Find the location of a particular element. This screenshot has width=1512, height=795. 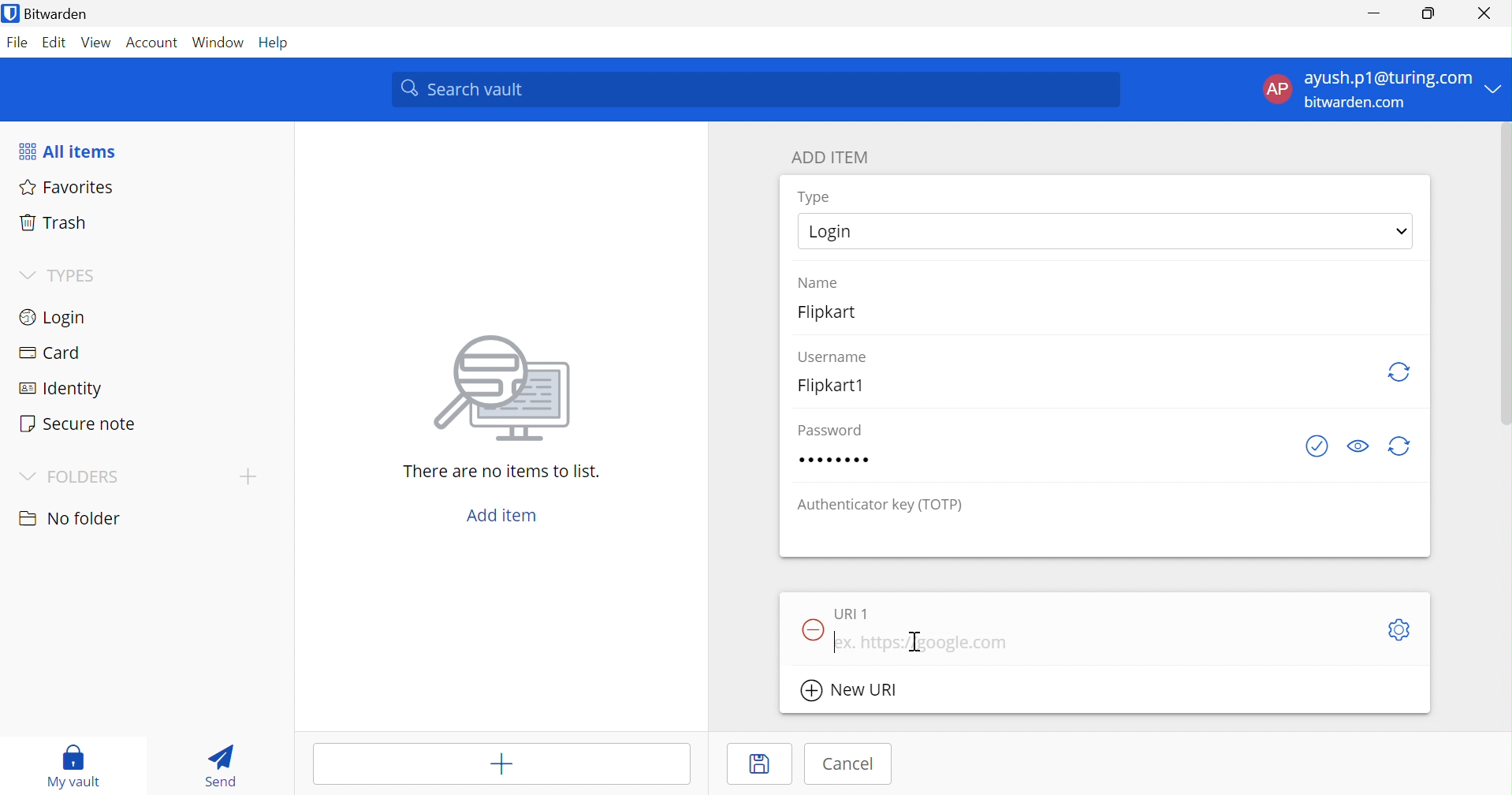

Send is located at coordinates (219, 766).